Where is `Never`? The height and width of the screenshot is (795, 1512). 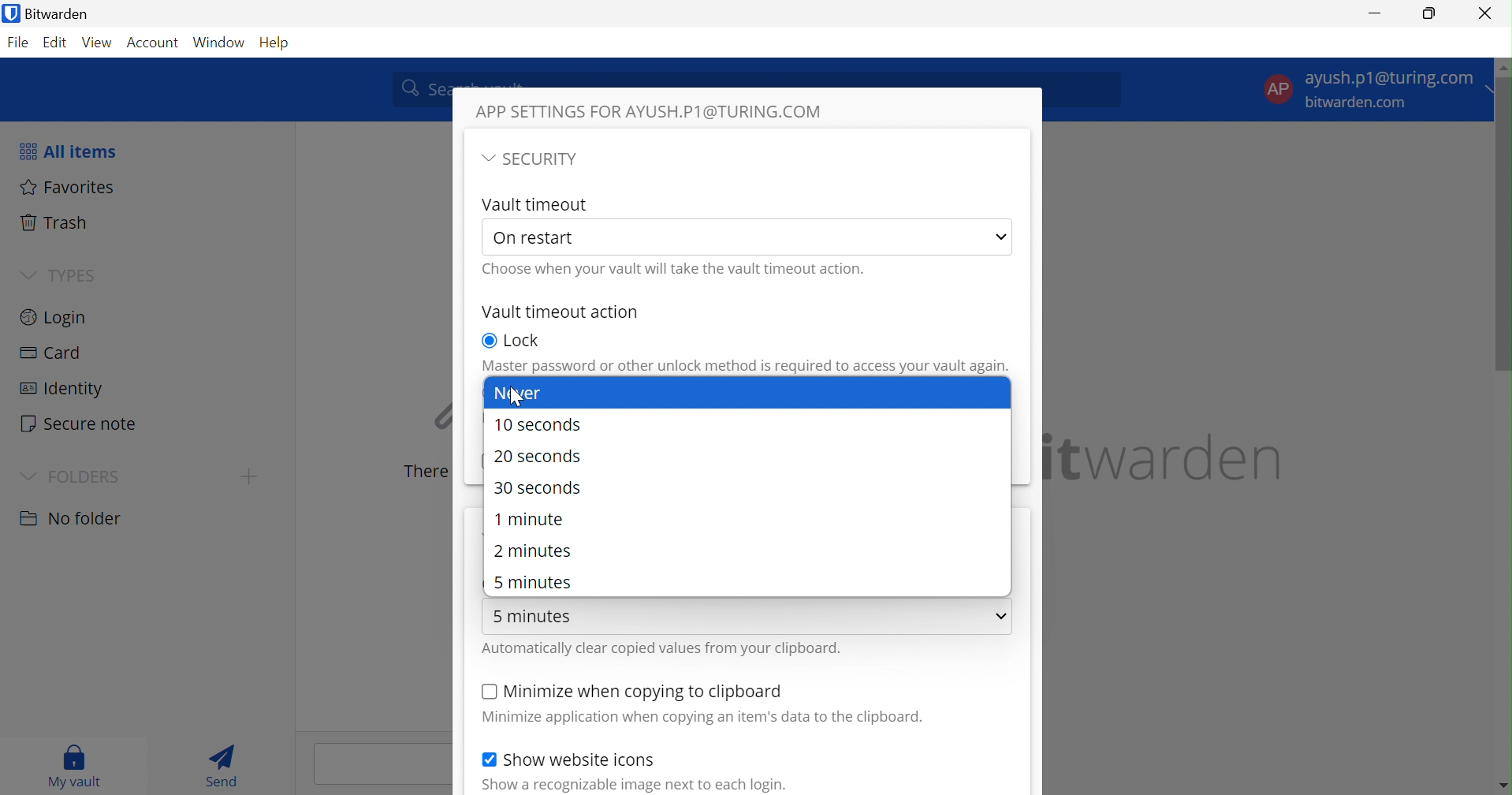
Never is located at coordinates (517, 394).